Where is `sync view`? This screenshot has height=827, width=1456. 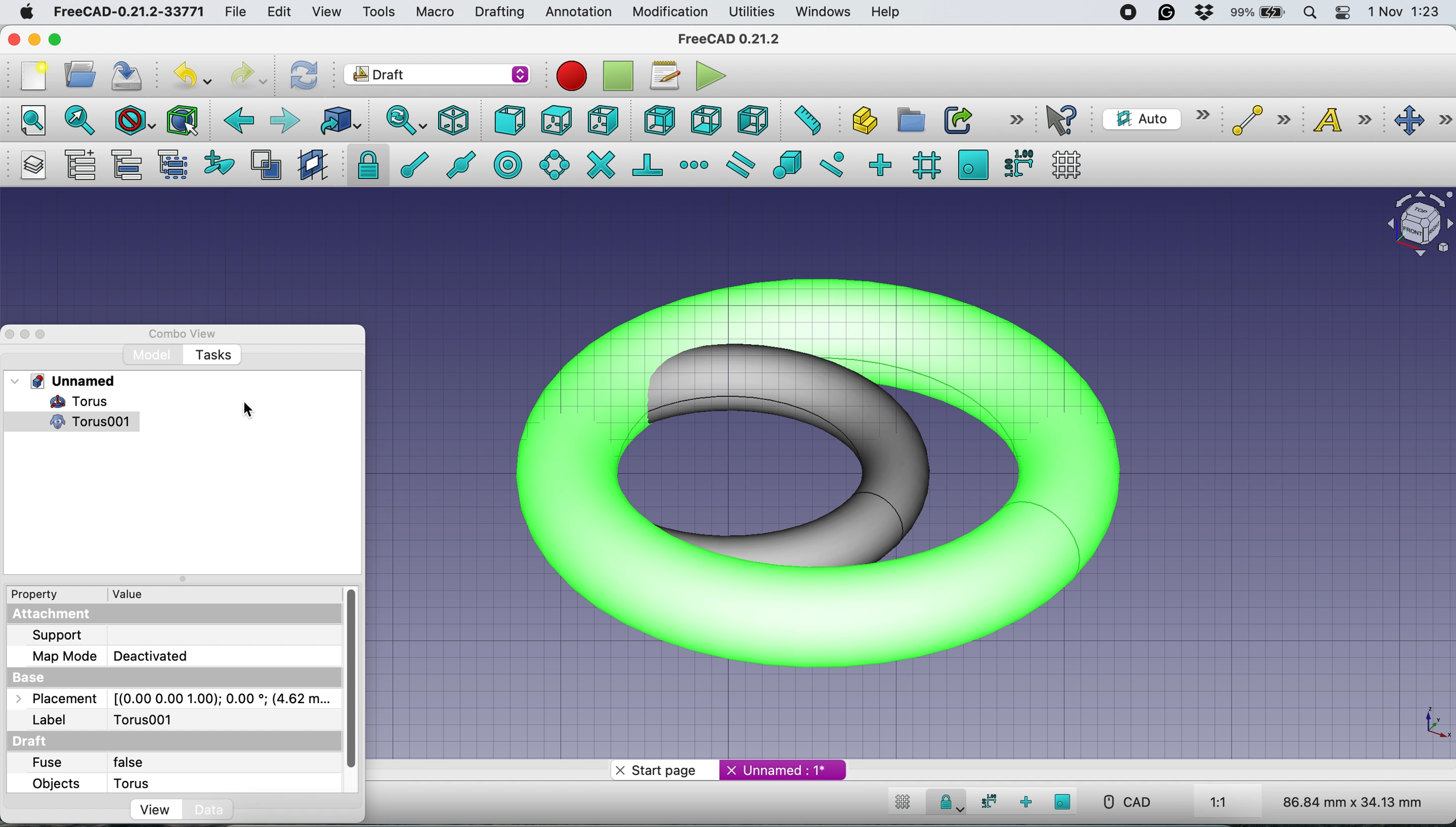
sync view is located at coordinates (405, 120).